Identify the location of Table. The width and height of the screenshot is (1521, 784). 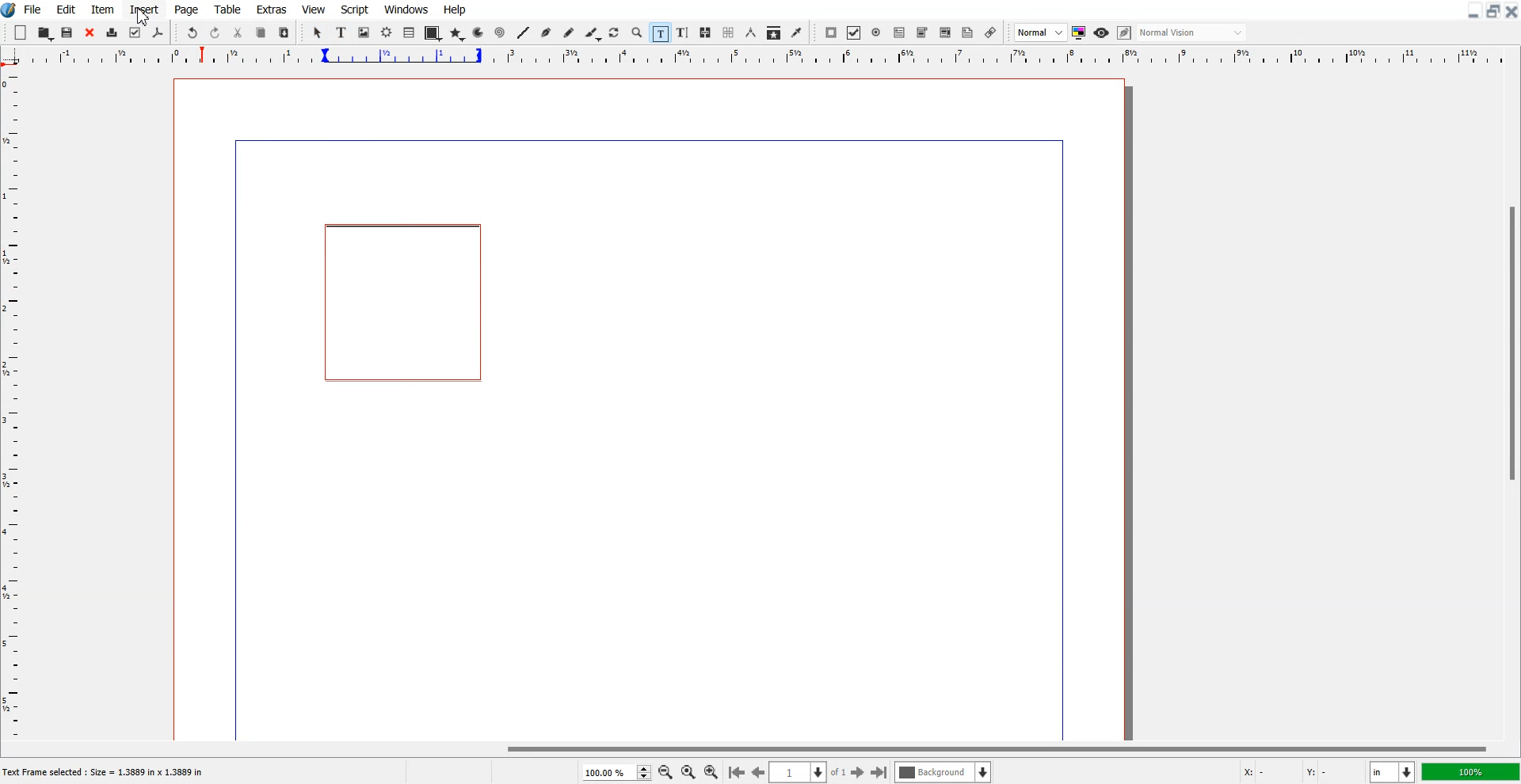
(228, 9).